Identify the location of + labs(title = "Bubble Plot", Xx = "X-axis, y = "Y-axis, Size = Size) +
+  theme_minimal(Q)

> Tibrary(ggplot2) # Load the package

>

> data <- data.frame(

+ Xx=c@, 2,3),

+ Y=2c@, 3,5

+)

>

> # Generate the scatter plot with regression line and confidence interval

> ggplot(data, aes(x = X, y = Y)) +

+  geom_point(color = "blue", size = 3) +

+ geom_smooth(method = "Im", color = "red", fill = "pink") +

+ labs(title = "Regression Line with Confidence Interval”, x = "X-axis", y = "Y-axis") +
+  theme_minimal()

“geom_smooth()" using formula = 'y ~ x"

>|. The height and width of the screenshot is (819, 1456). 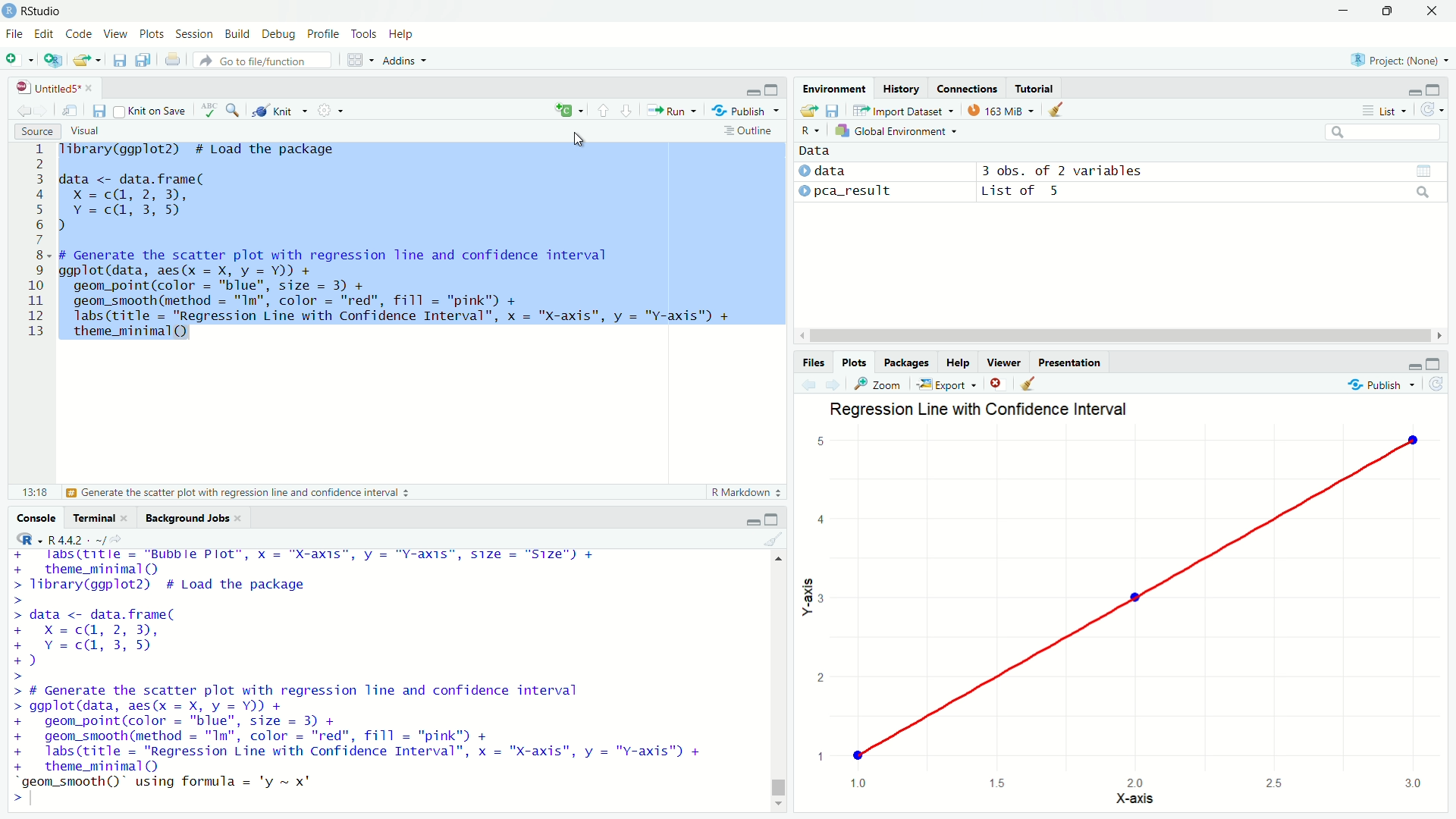
(363, 679).